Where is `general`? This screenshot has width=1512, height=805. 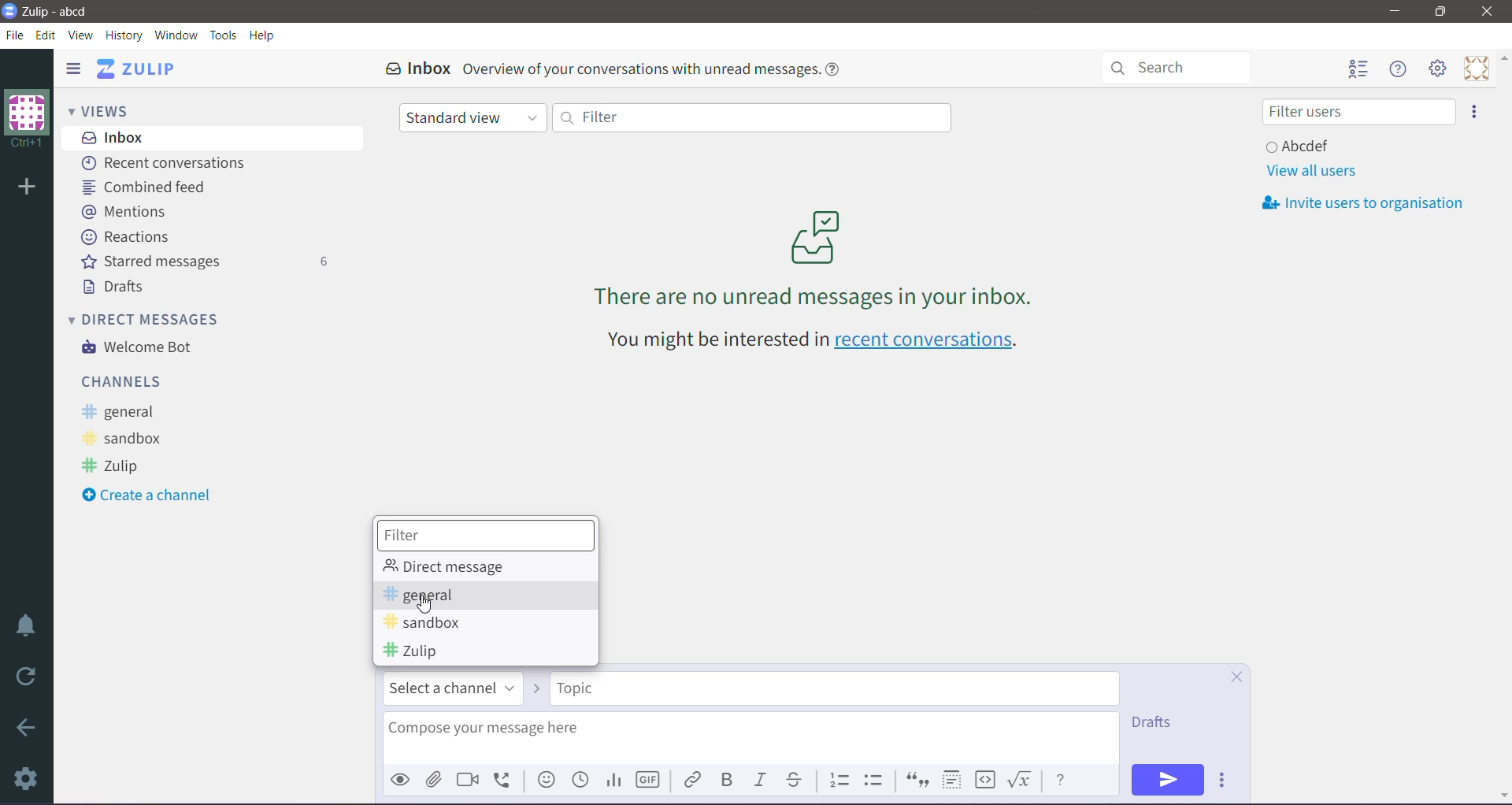
general is located at coordinates (486, 595).